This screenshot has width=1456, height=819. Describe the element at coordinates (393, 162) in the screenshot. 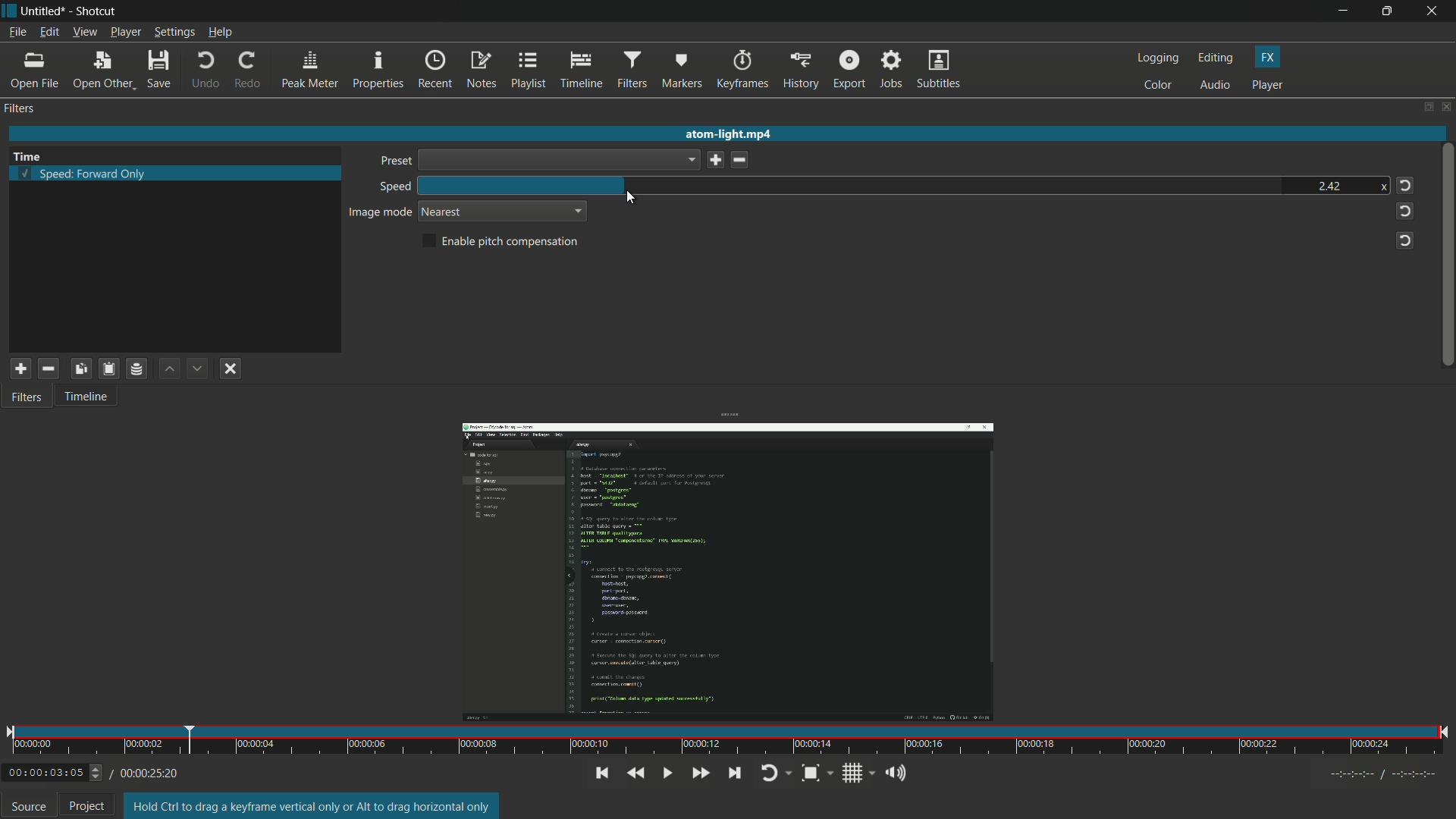

I see `preset` at that location.